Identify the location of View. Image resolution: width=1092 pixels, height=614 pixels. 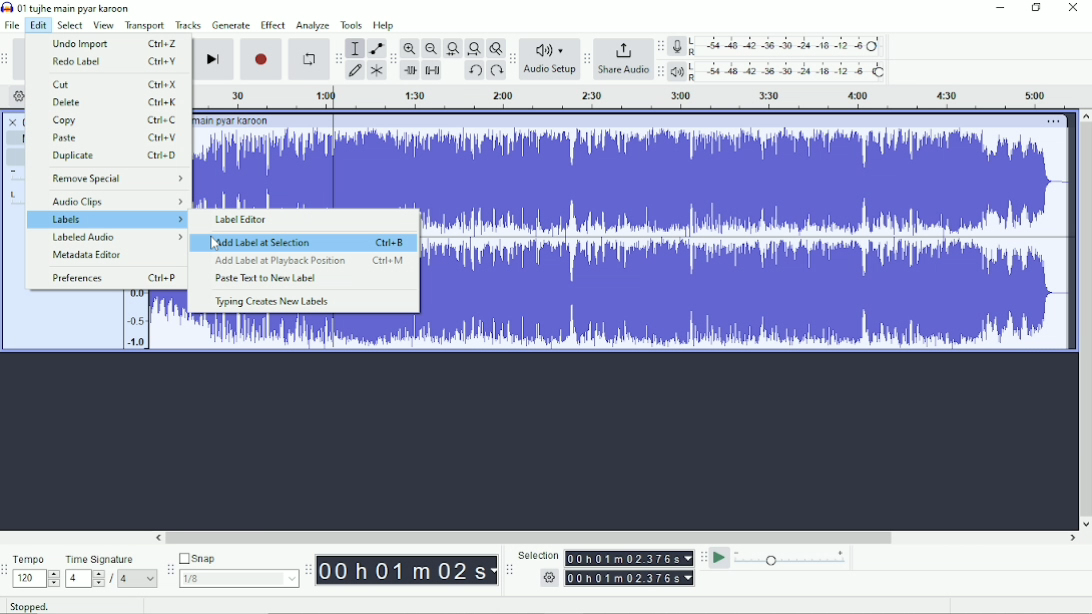
(104, 25).